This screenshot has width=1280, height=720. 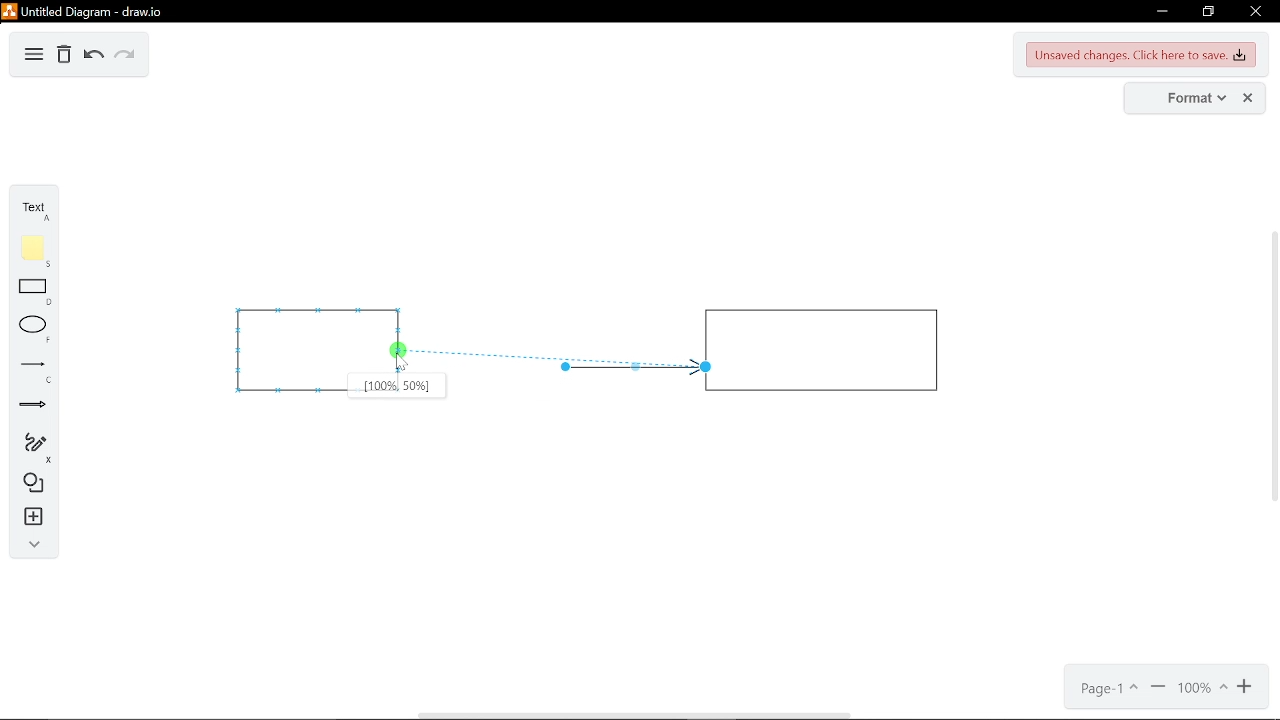 I want to click on vertical scrollbar, so click(x=1272, y=367).